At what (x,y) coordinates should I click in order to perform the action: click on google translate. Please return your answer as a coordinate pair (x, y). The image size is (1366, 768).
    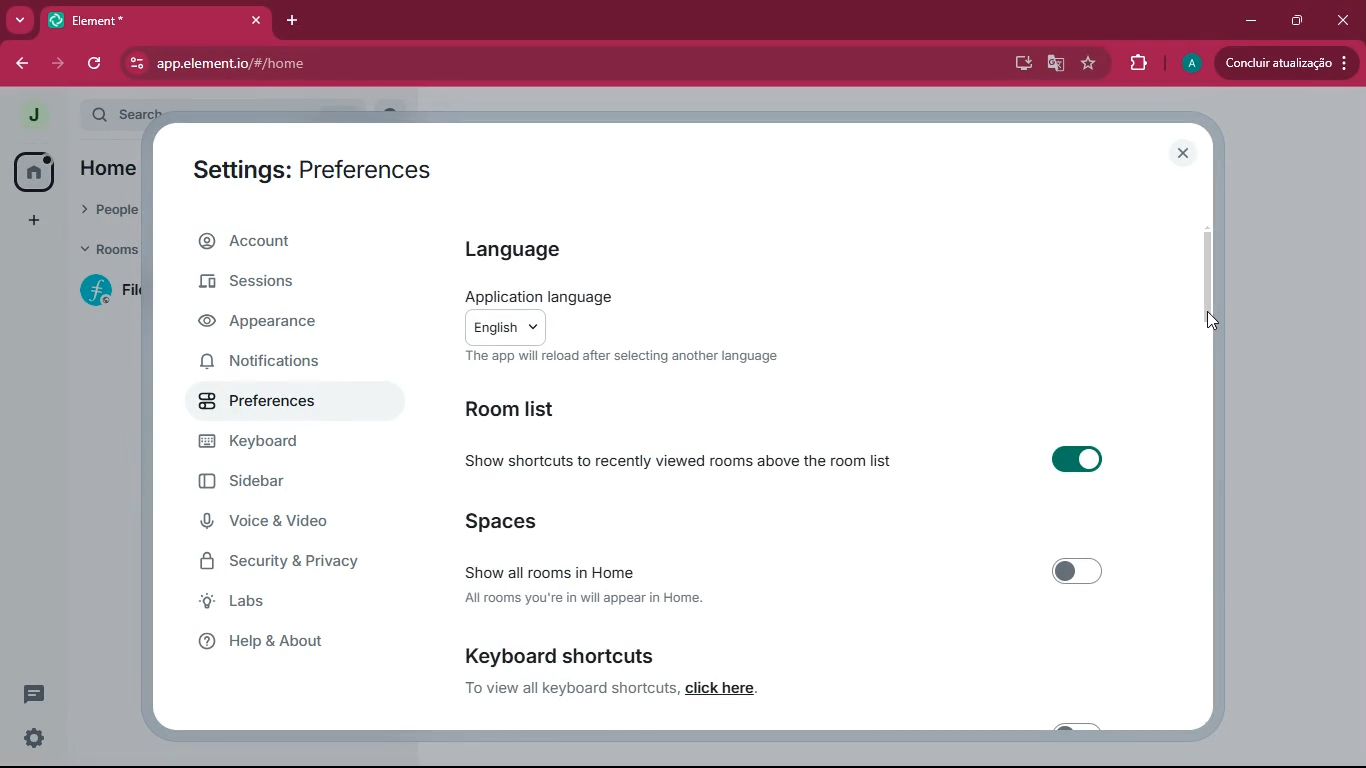
    Looking at the image, I should click on (1054, 63).